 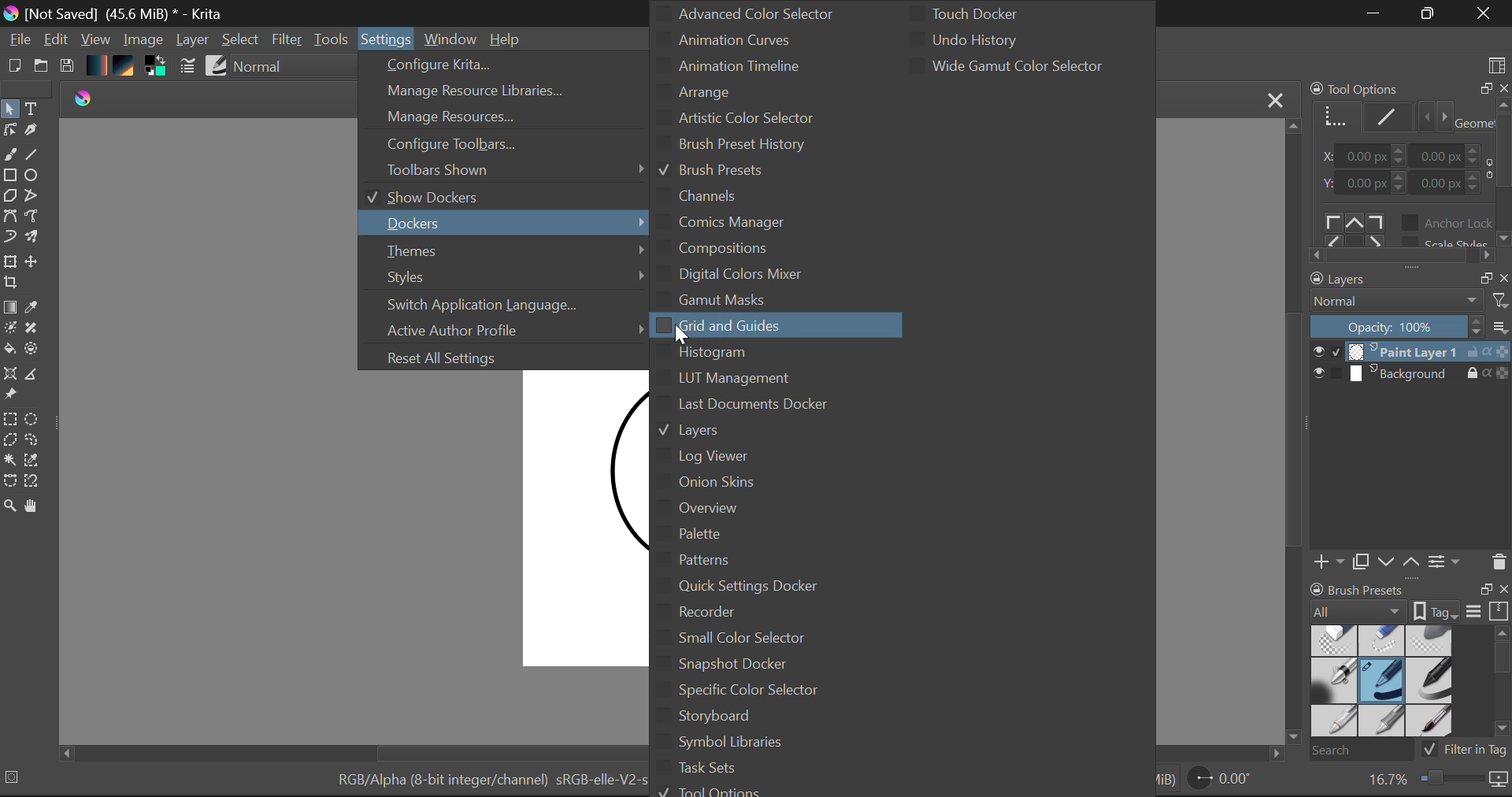 What do you see at coordinates (241, 40) in the screenshot?
I see `Select` at bounding box center [241, 40].